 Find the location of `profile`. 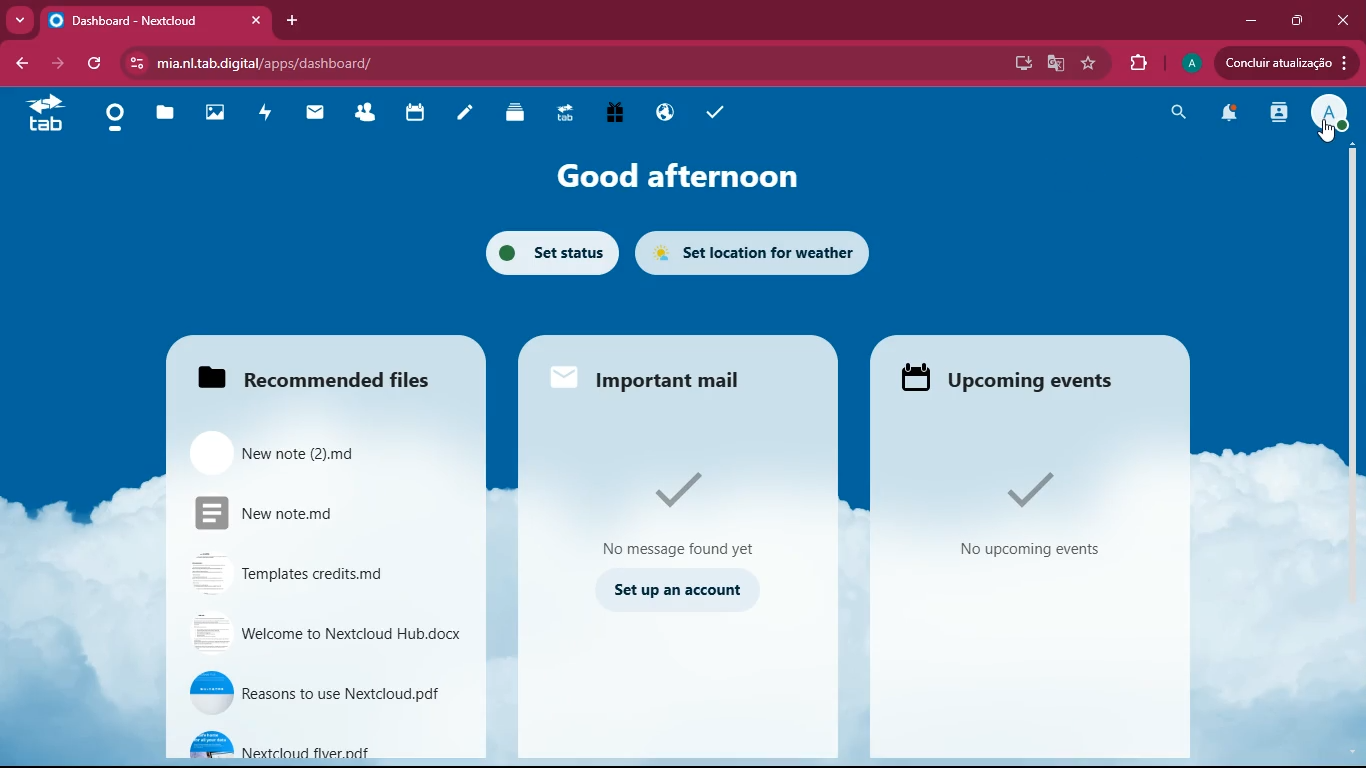

profile is located at coordinates (1191, 65).